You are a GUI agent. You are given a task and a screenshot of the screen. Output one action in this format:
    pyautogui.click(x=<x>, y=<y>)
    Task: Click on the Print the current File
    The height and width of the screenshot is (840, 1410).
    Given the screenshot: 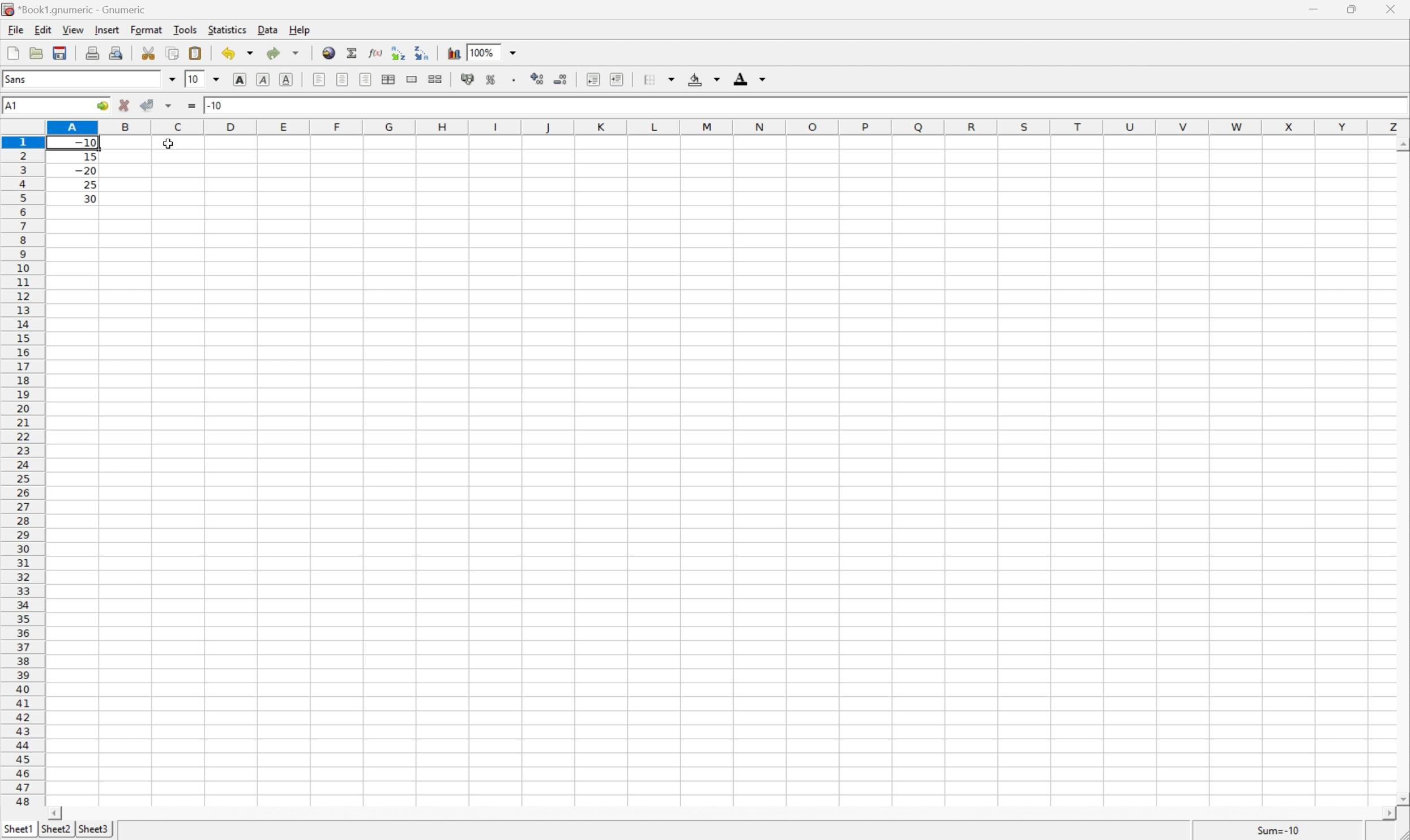 What is the action you would take?
    pyautogui.click(x=95, y=52)
    